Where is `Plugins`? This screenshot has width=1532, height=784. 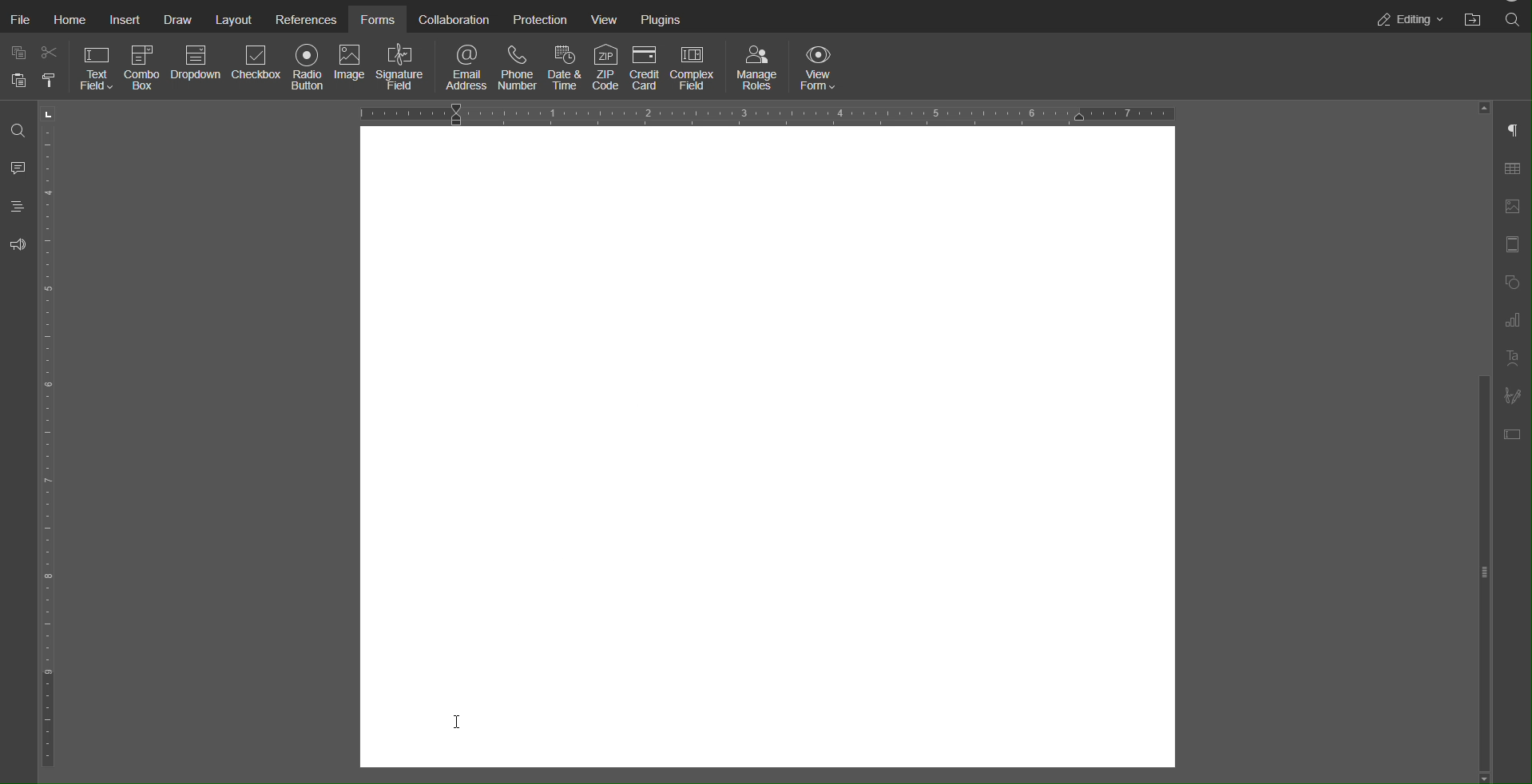
Plugins is located at coordinates (663, 18).